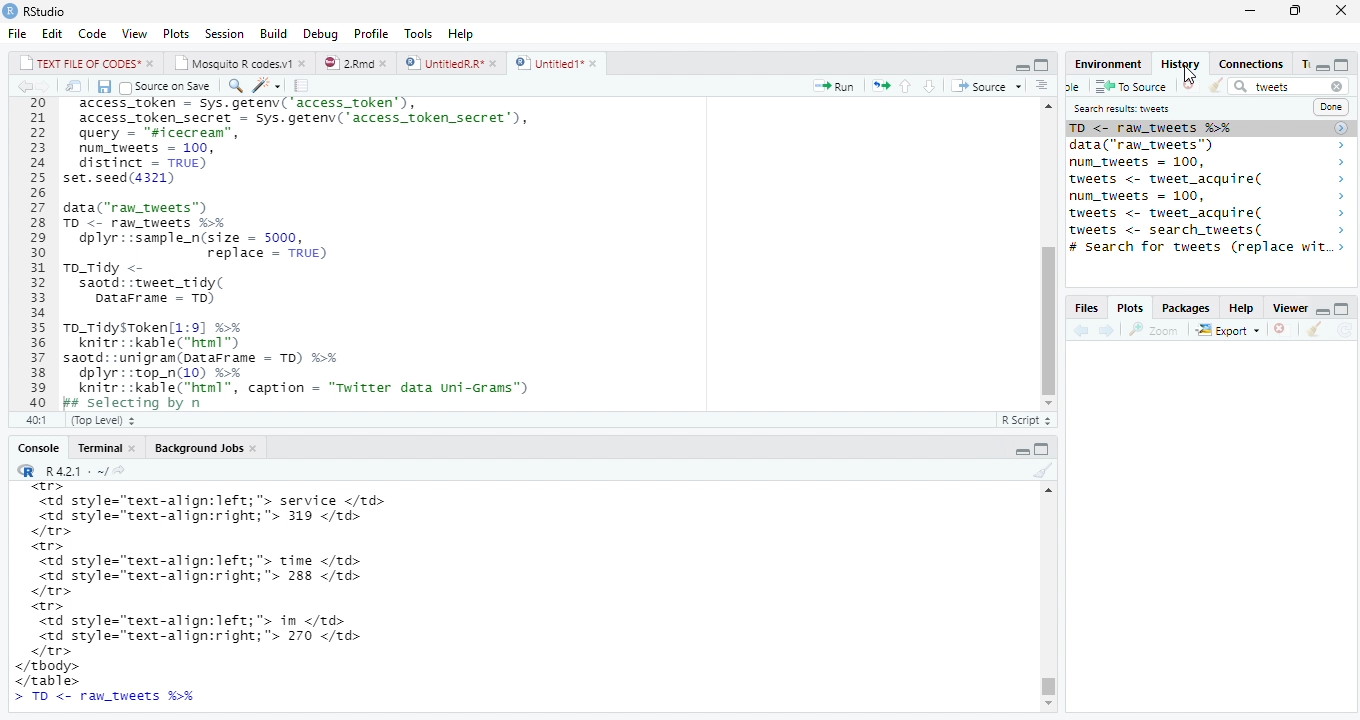 This screenshot has height=720, width=1360. Describe the element at coordinates (76, 62) in the screenshot. I see `|_| TEXT FILE OF CODES" »` at that location.